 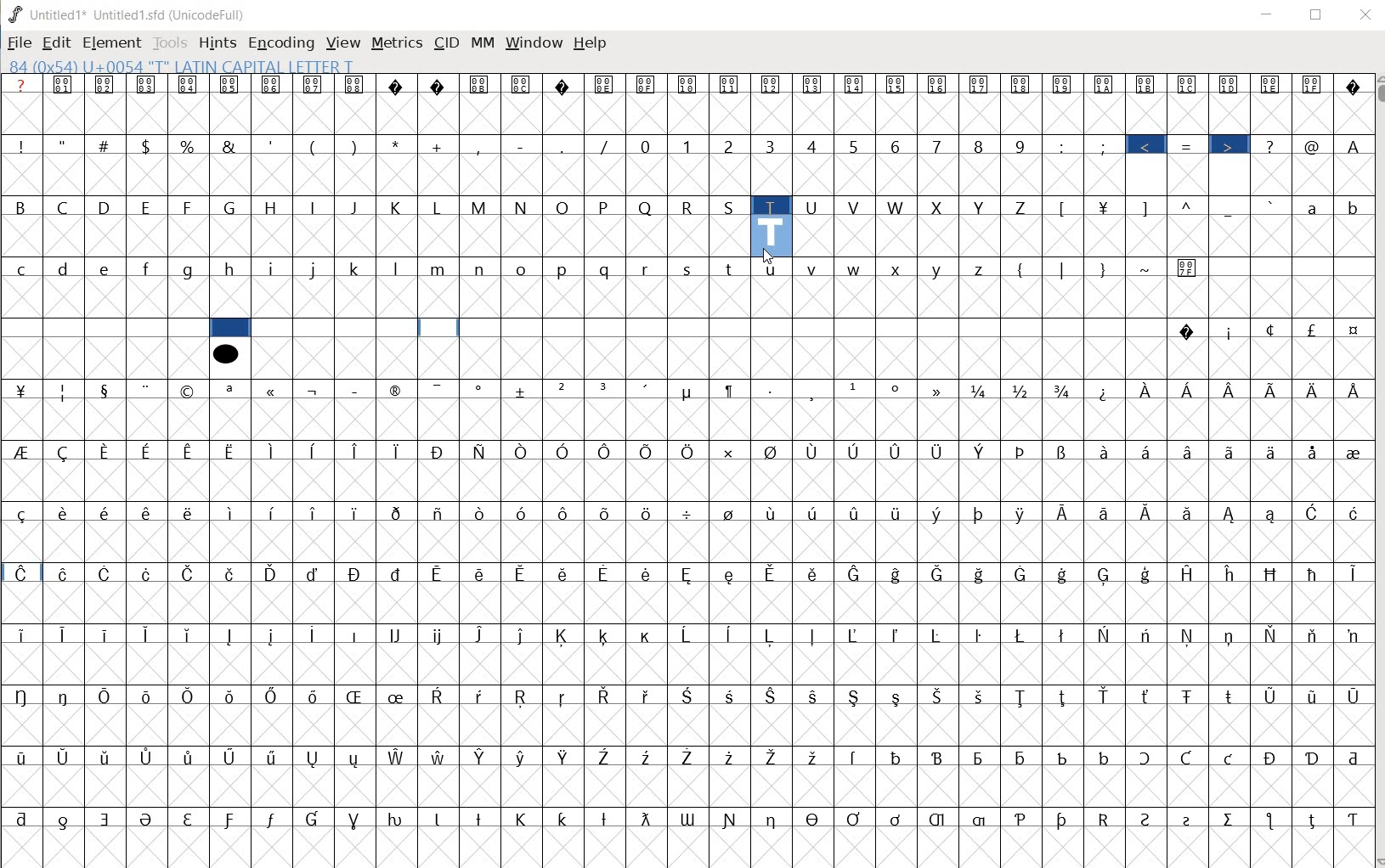 I want to click on Symbol, so click(x=1108, y=513).